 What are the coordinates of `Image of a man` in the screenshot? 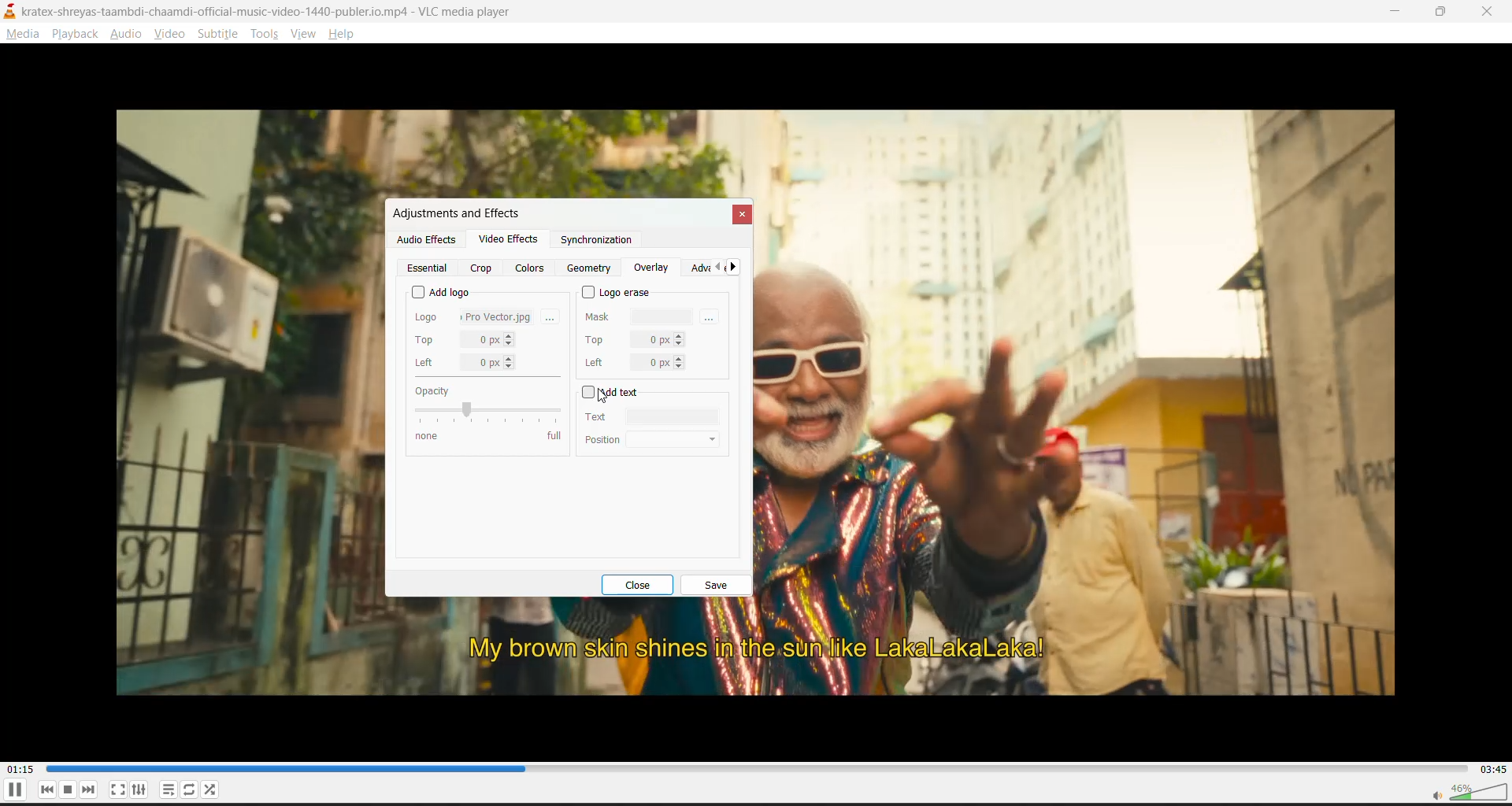 It's located at (1095, 360).